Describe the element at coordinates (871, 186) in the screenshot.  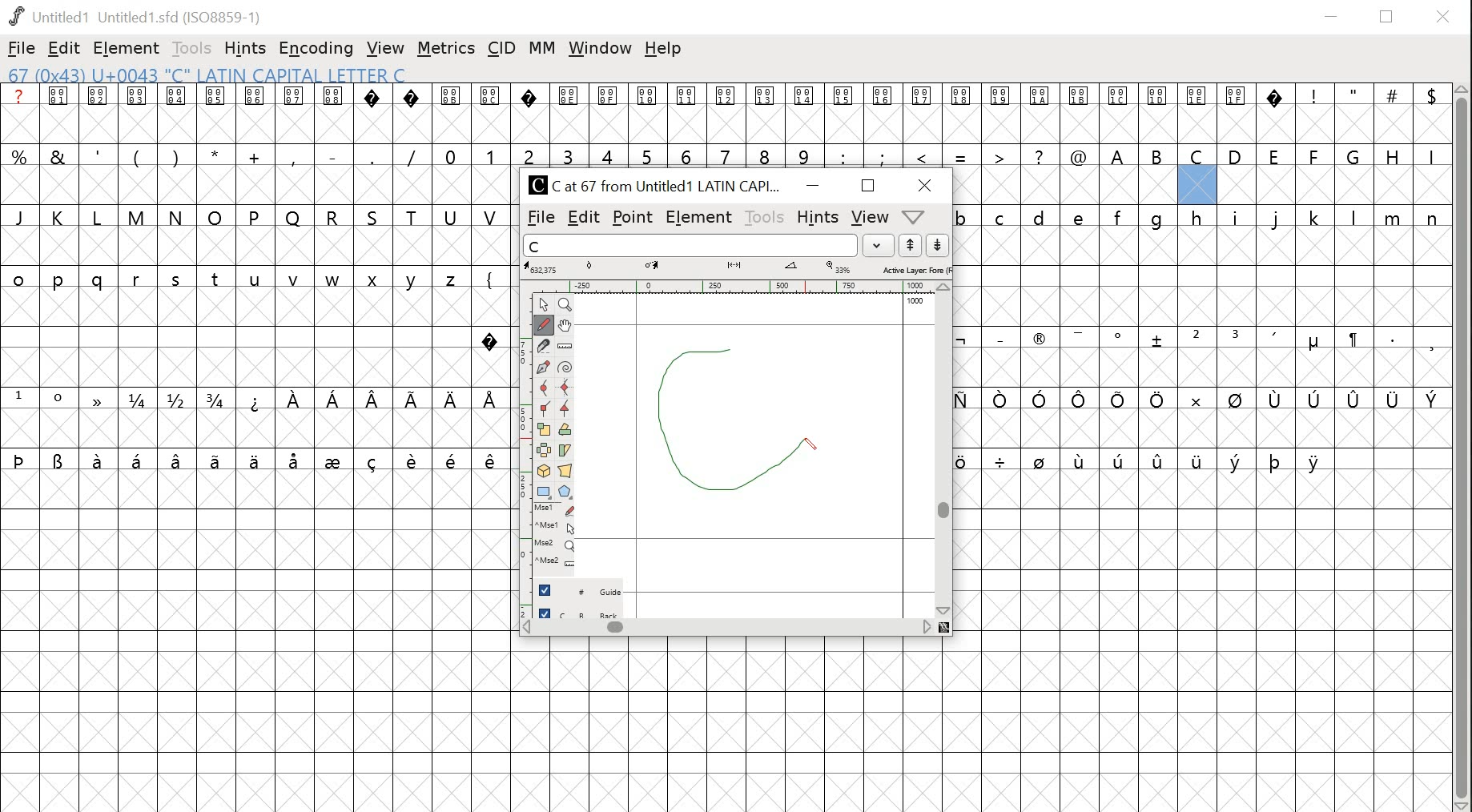
I see `maximize` at that location.